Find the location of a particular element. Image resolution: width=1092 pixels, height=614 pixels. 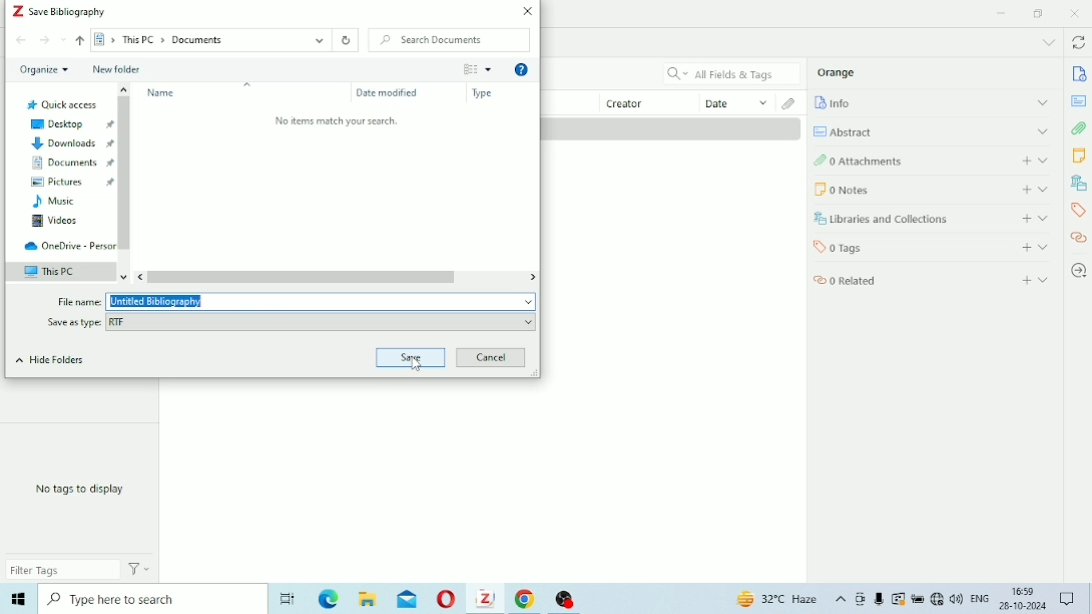

Locate is located at coordinates (1078, 271).